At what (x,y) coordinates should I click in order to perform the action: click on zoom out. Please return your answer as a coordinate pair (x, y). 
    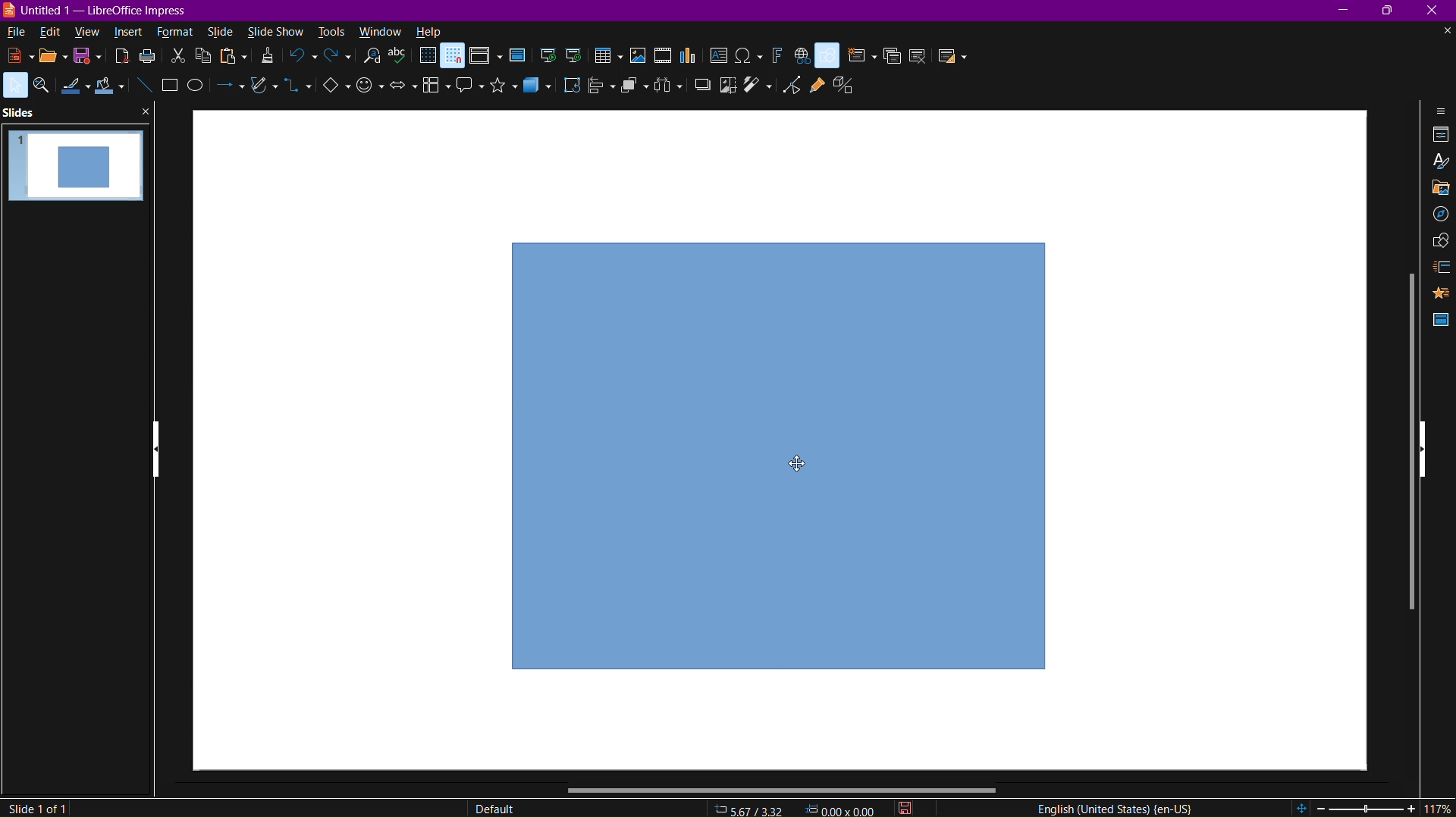
    Looking at the image, I should click on (1321, 808).